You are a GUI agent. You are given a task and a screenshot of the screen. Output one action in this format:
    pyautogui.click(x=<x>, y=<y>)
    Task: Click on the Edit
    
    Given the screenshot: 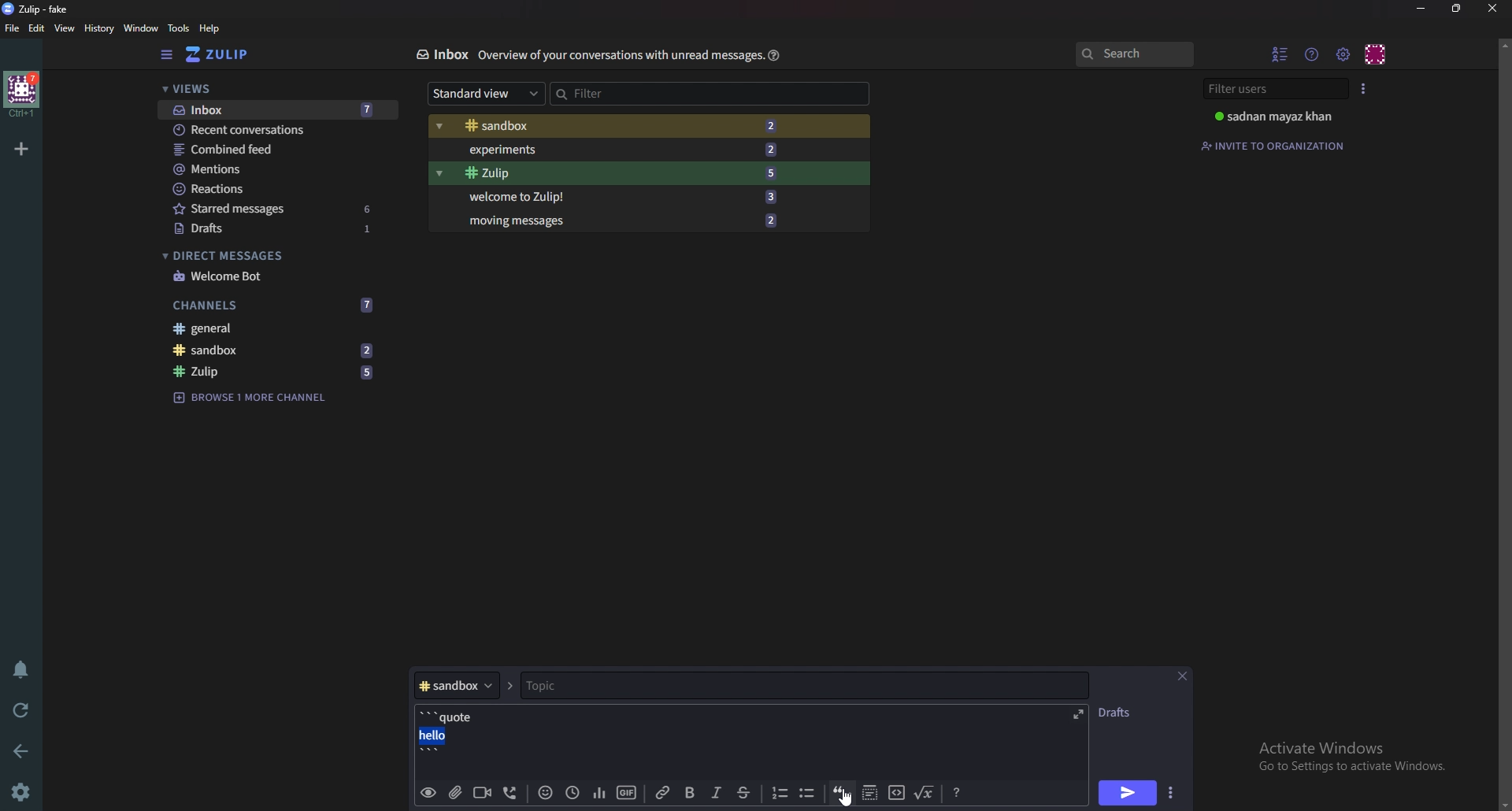 What is the action you would take?
    pyautogui.click(x=37, y=28)
    